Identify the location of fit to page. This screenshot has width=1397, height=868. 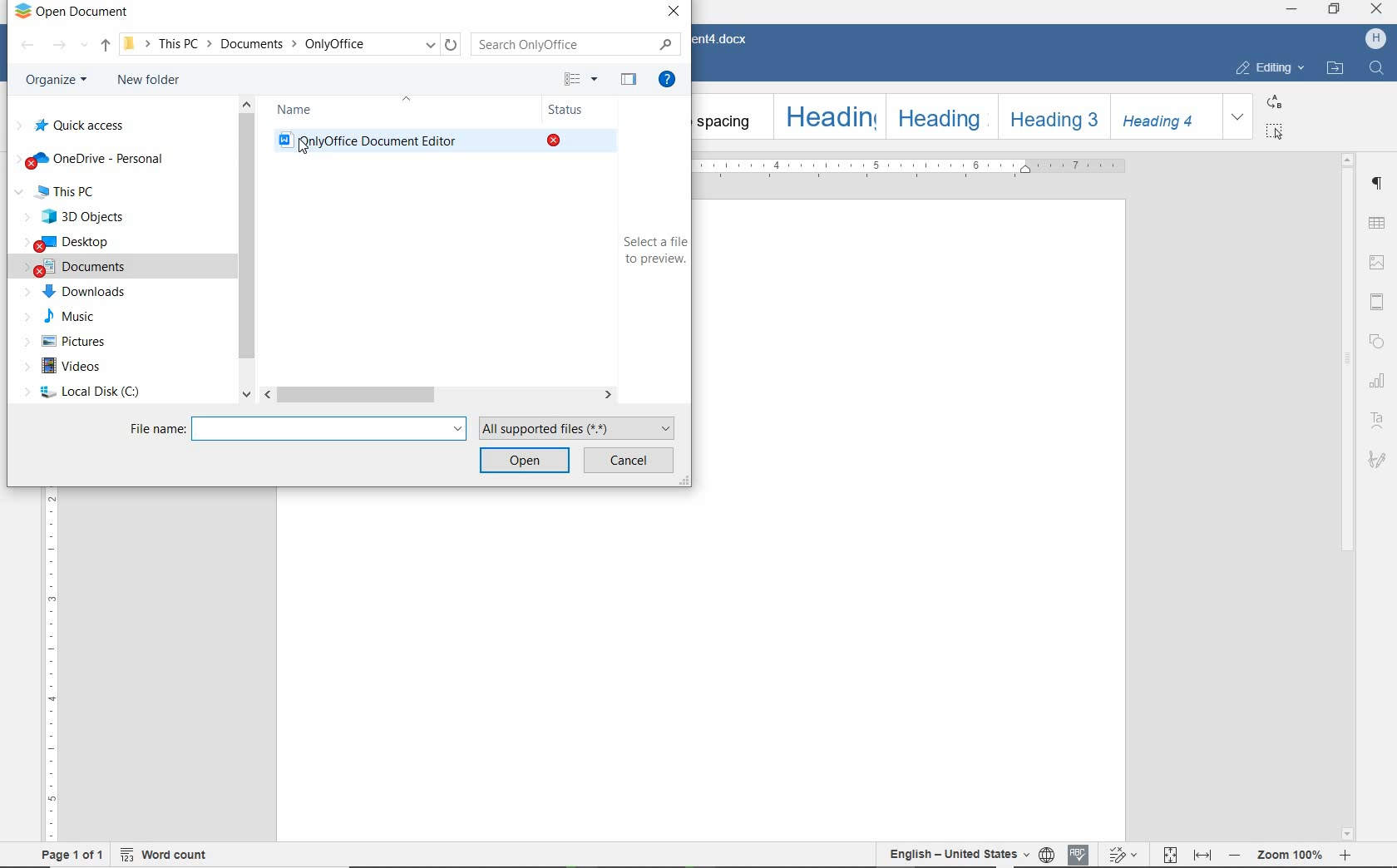
(1169, 856).